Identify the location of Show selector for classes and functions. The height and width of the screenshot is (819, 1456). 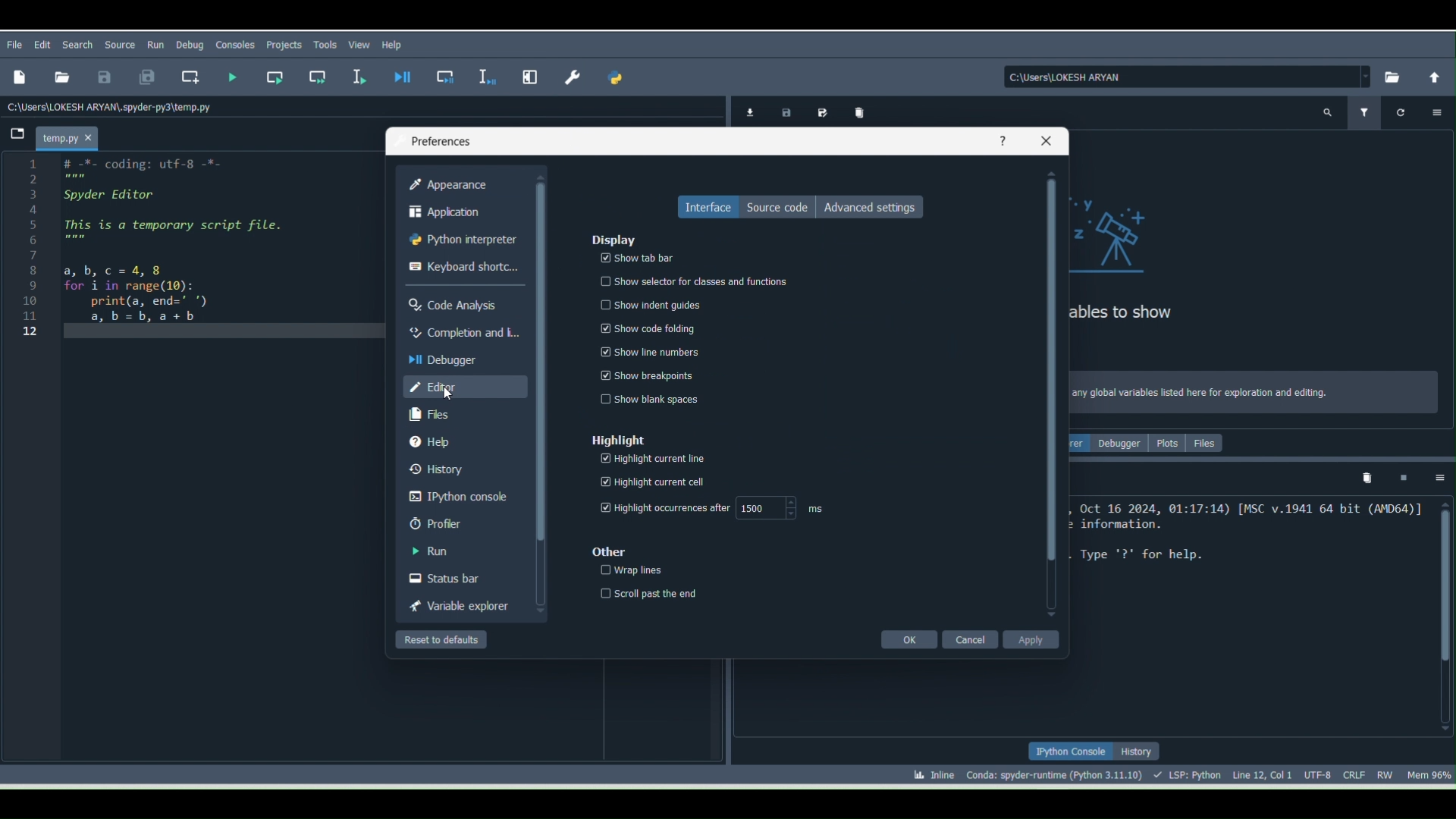
(690, 278).